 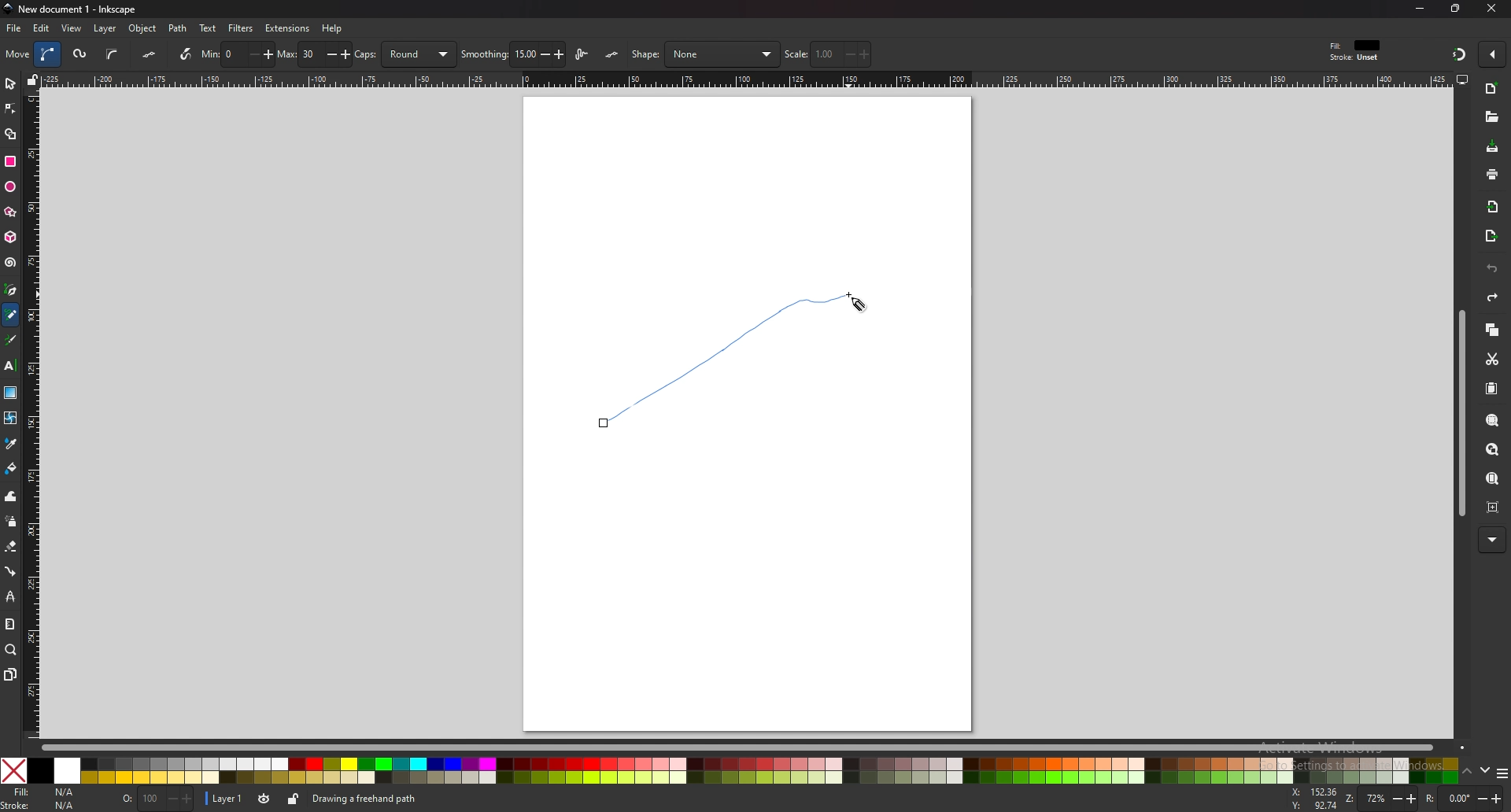 I want to click on flatten spiro, so click(x=150, y=54).